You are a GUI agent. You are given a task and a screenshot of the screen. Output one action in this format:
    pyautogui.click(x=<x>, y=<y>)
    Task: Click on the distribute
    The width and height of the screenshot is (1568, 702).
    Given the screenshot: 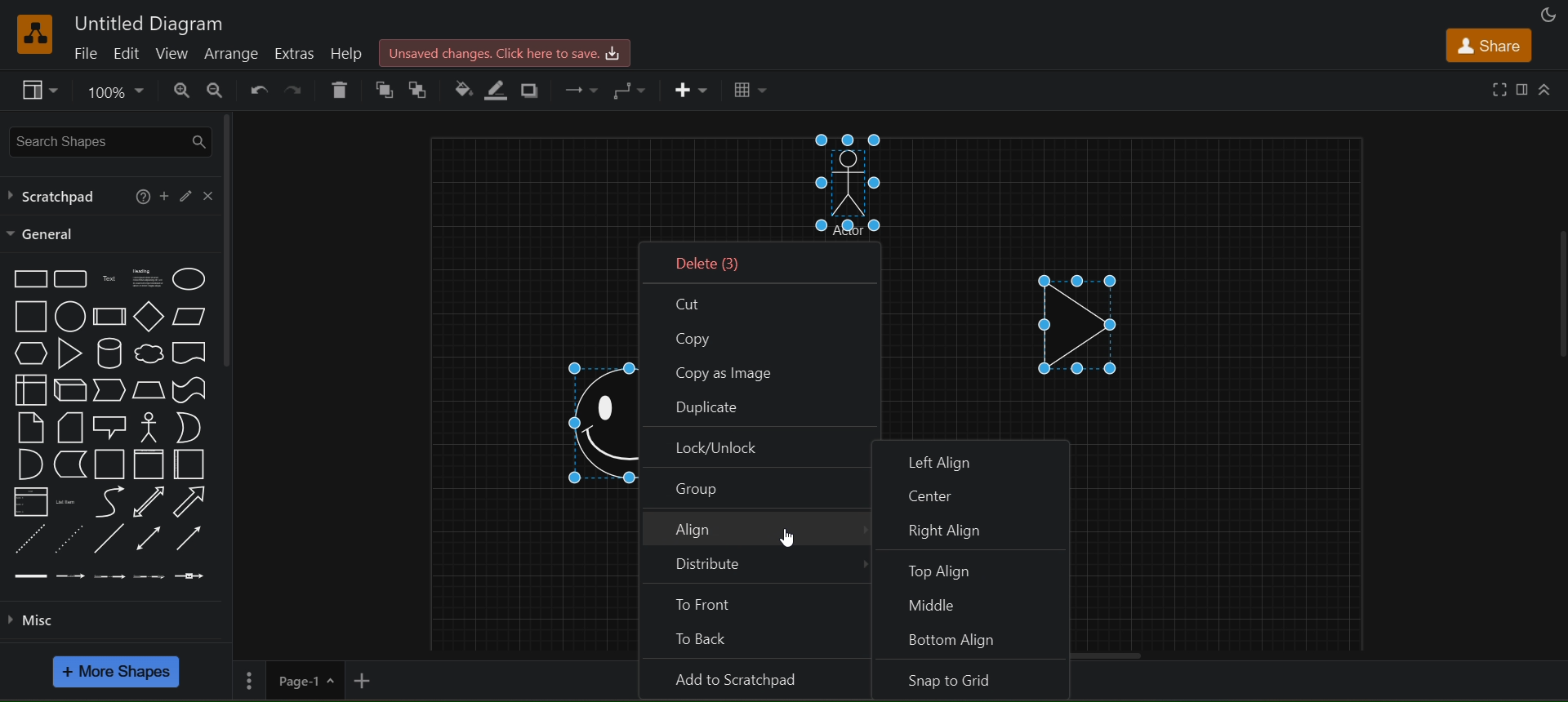 What is the action you would take?
    pyautogui.click(x=755, y=569)
    